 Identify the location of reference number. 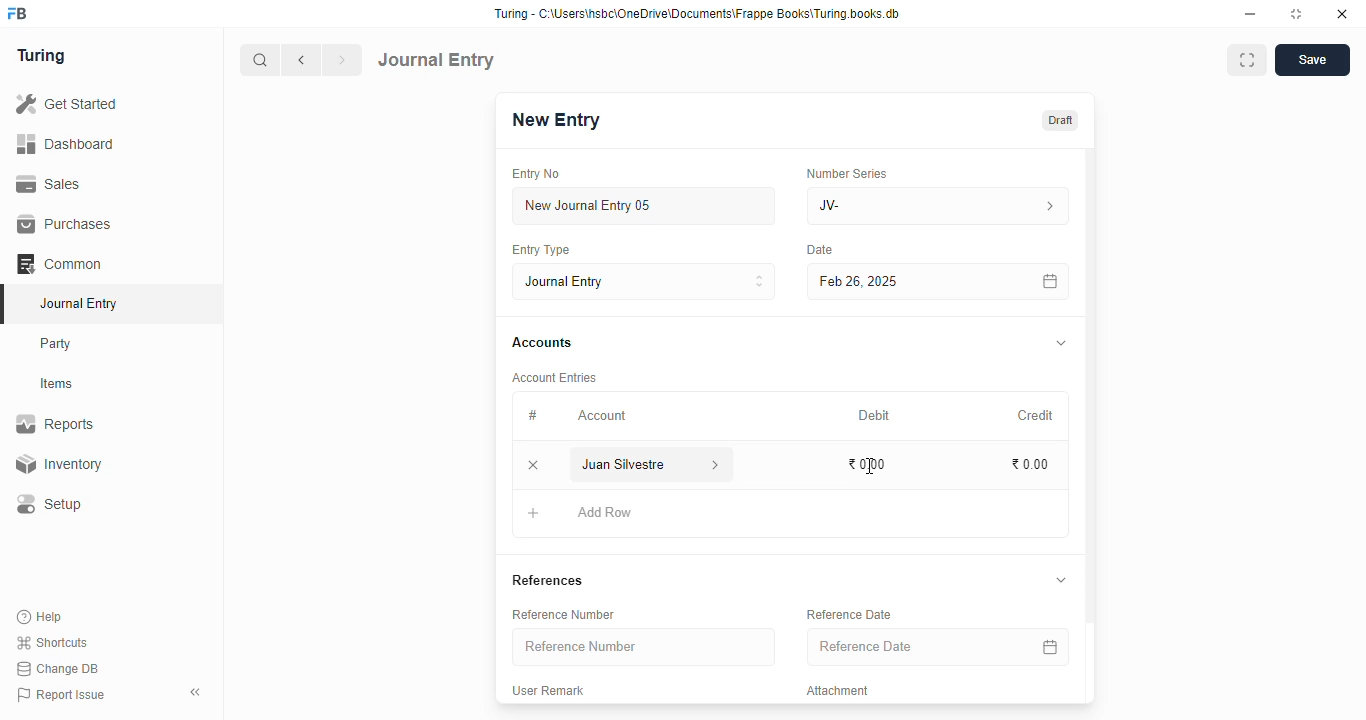
(644, 647).